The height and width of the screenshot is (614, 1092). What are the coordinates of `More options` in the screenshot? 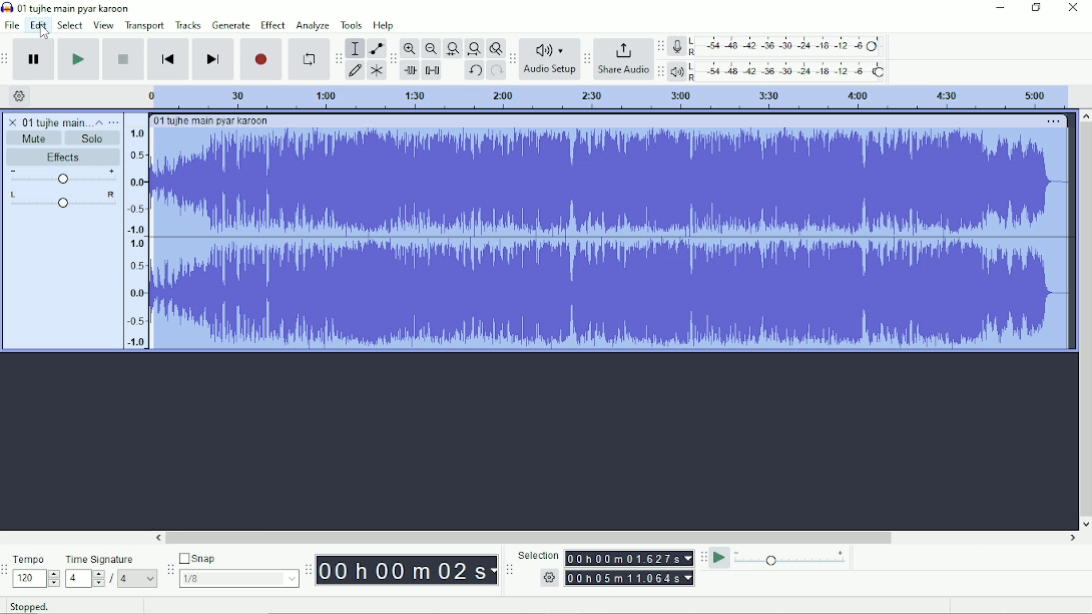 It's located at (1054, 122).